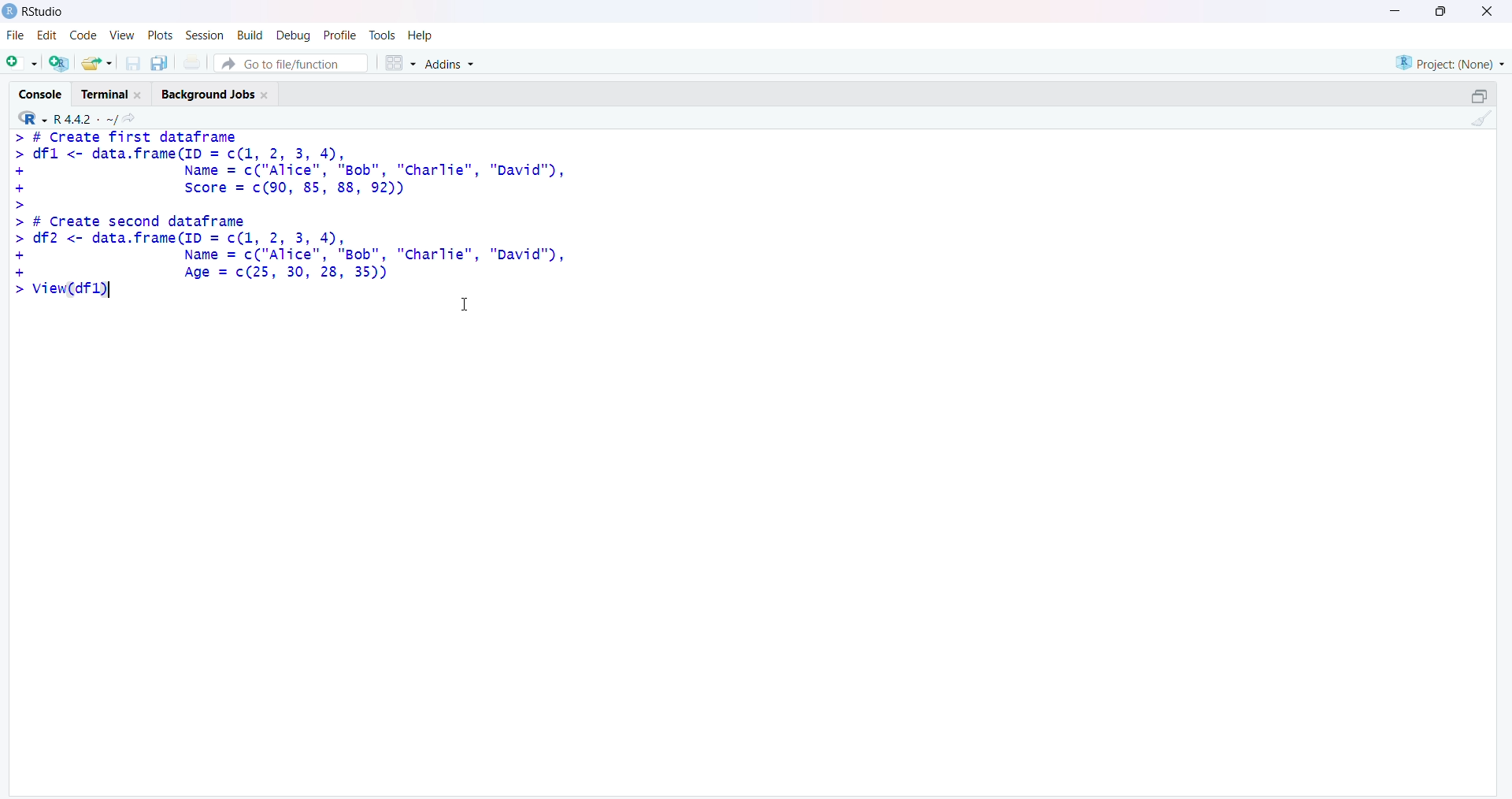 Image resolution: width=1512 pixels, height=799 pixels. Describe the element at coordinates (25, 62) in the screenshot. I see `add file as` at that location.